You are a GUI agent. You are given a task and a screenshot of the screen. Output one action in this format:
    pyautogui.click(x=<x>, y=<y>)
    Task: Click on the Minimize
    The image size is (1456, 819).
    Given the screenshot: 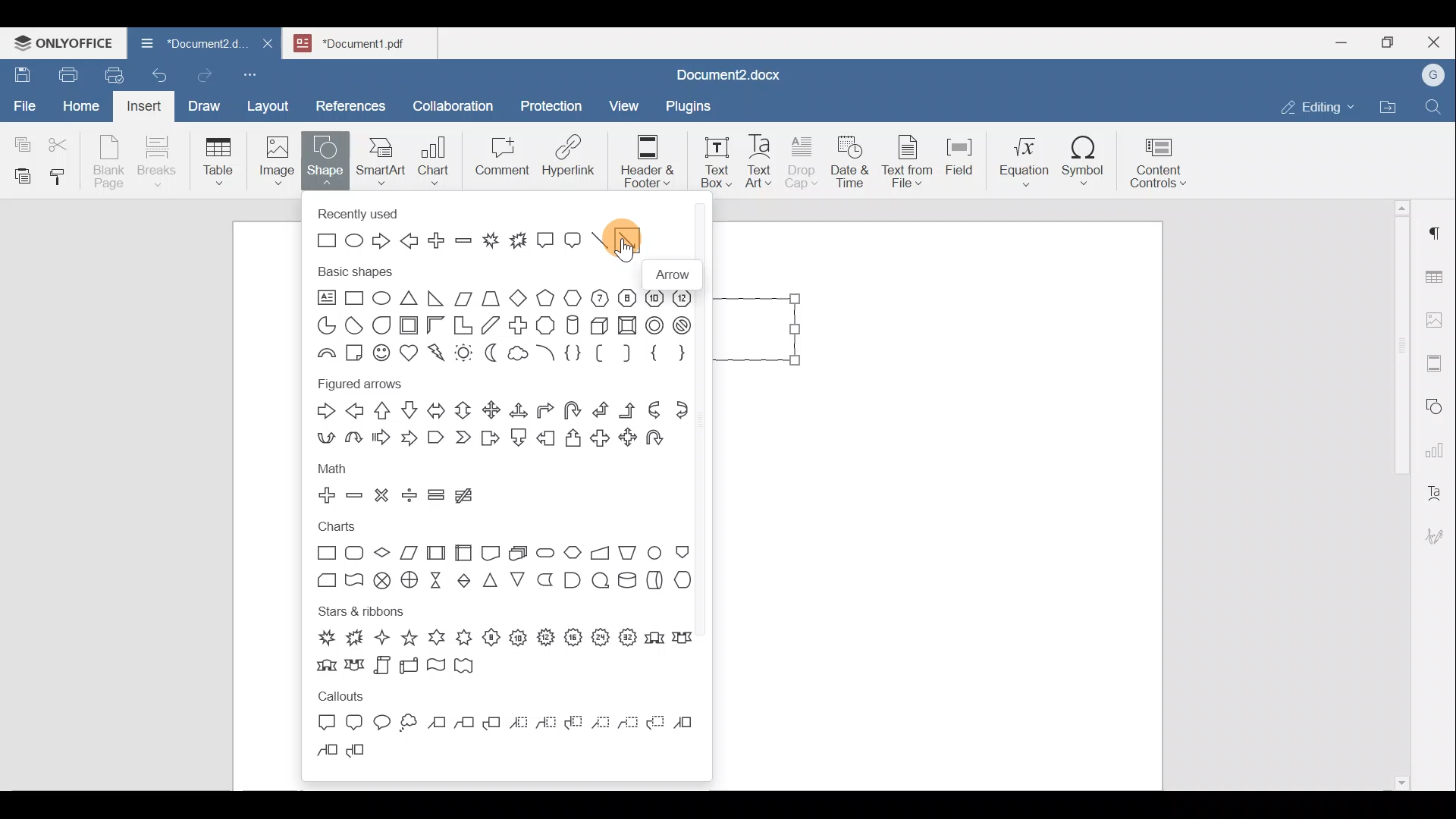 What is the action you would take?
    pyautogui.click(x=1341, y=41)
    